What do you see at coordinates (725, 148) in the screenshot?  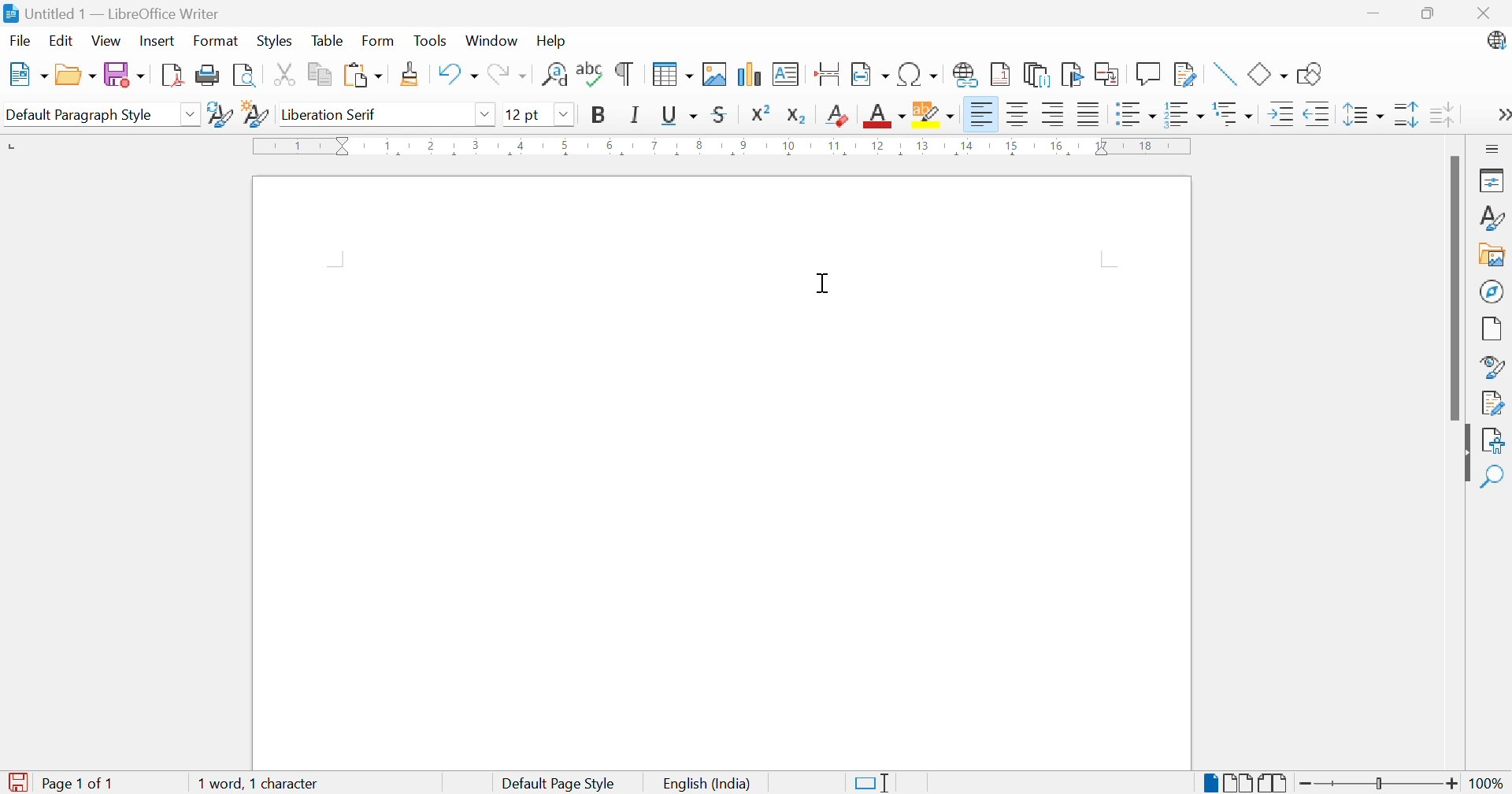 I see `Ruler` at bounding box center [725, 148].